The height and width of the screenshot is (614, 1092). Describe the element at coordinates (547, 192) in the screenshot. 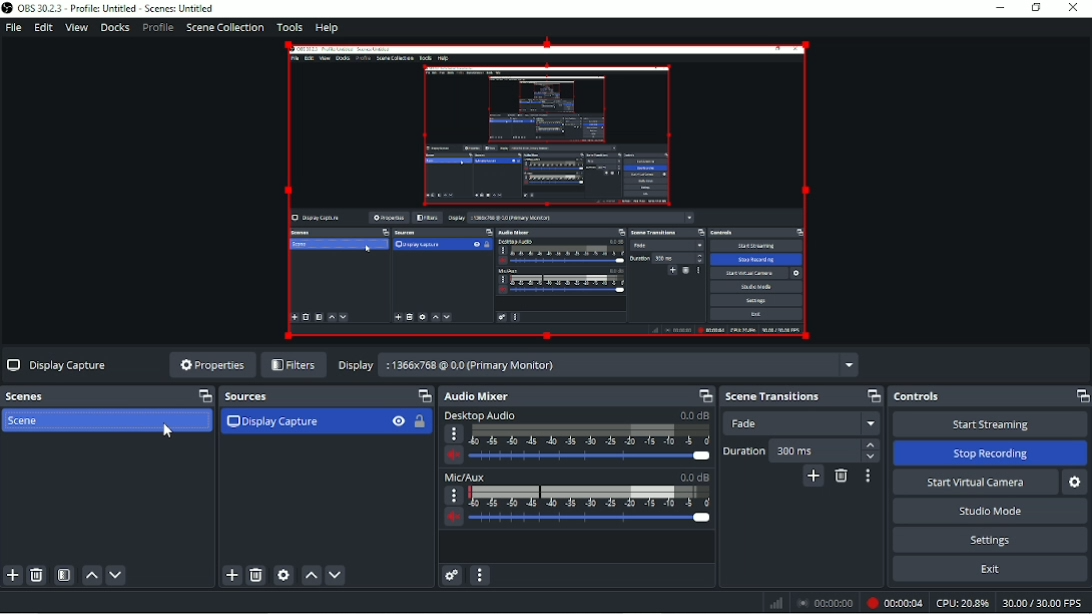

I see `Video` at that location.